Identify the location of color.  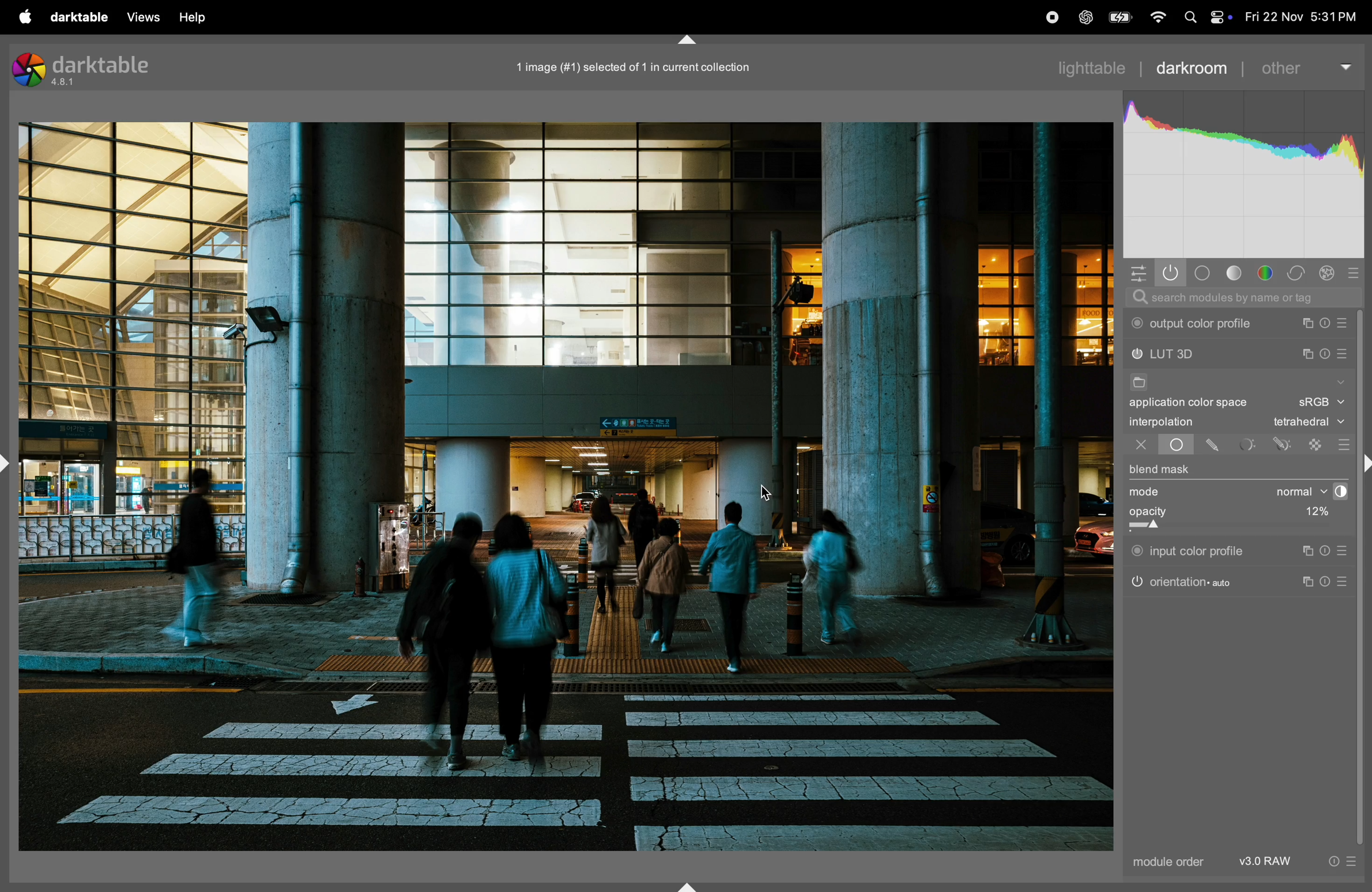
(1269, 274).